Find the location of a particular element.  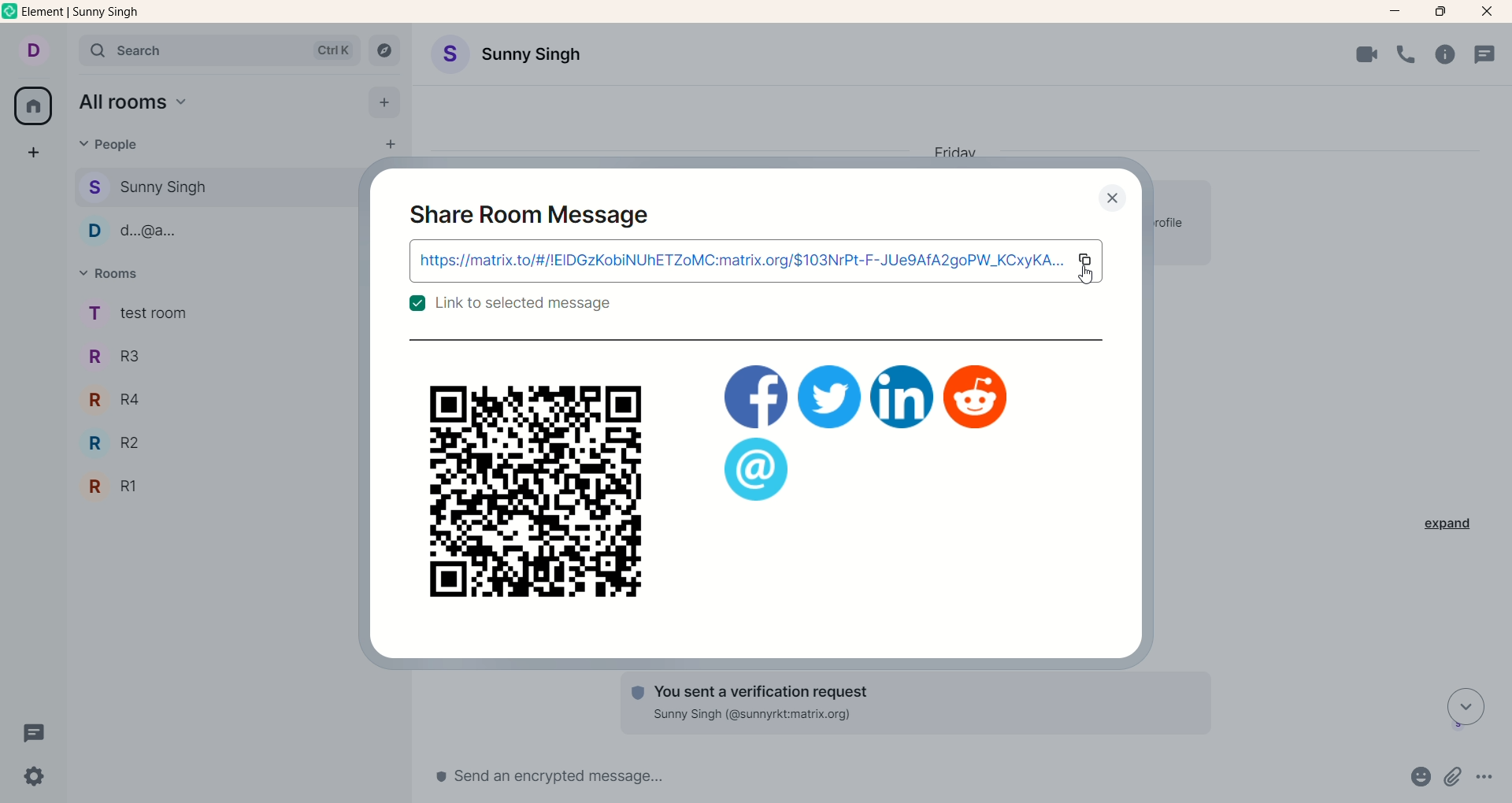

vertical scroll bar is located at coordinates (1503, 420).